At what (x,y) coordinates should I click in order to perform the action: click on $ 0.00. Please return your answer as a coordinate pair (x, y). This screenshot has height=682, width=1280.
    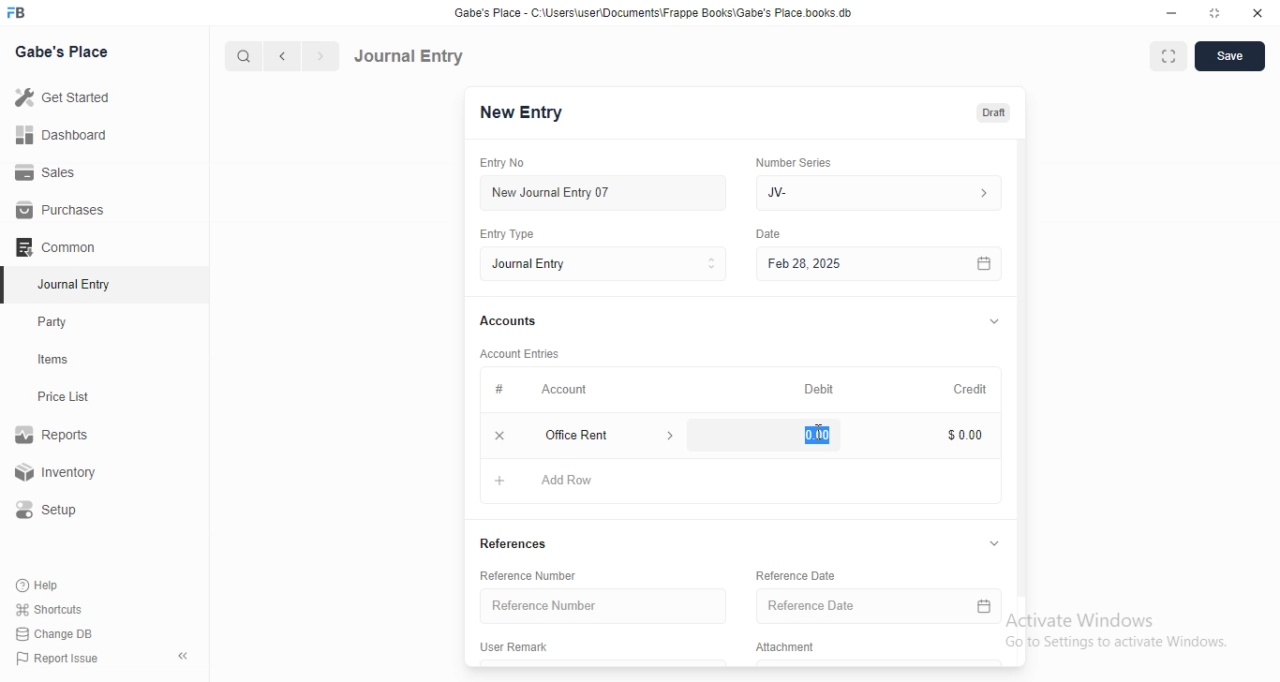
    Looking at the image, I should click on (960, 436).